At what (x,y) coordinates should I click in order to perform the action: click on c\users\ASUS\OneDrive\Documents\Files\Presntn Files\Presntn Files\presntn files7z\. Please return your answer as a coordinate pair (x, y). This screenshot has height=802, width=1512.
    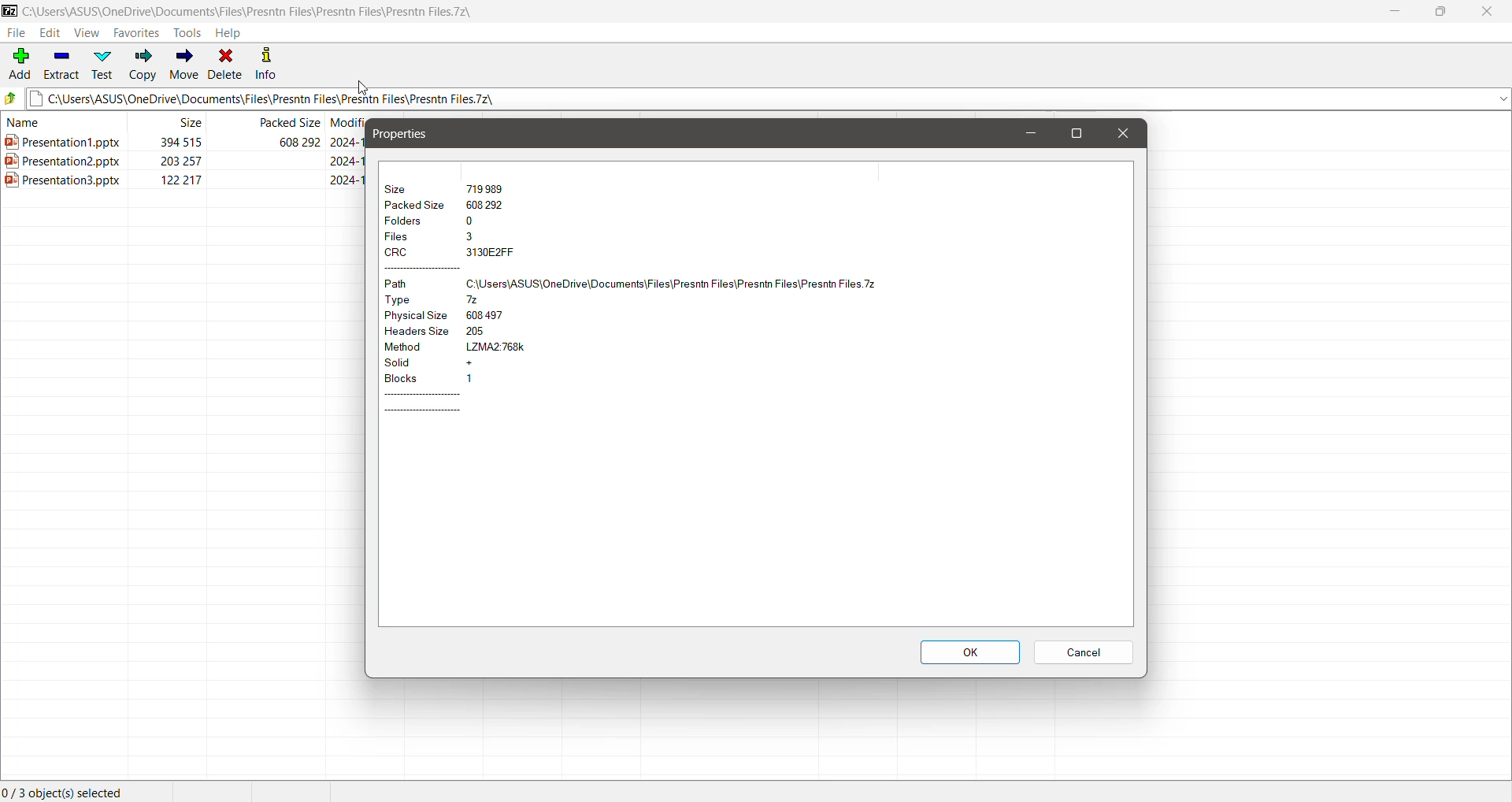
    Looking at the image, I should click on (271, 11).